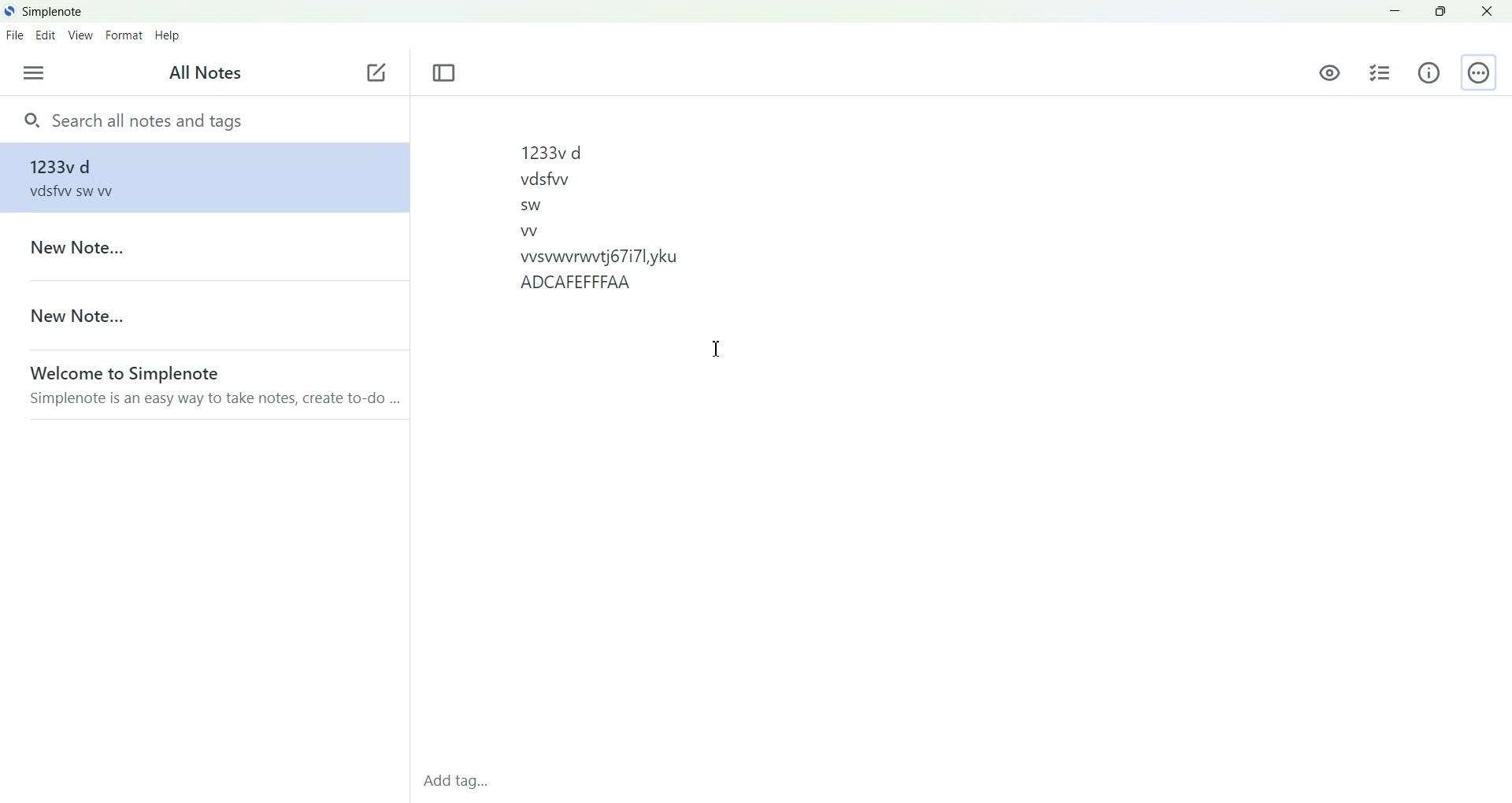 This screenshot has width=1512, height=803. I want to click on Note File - Welcome to Simplenote, so click(203, 384).